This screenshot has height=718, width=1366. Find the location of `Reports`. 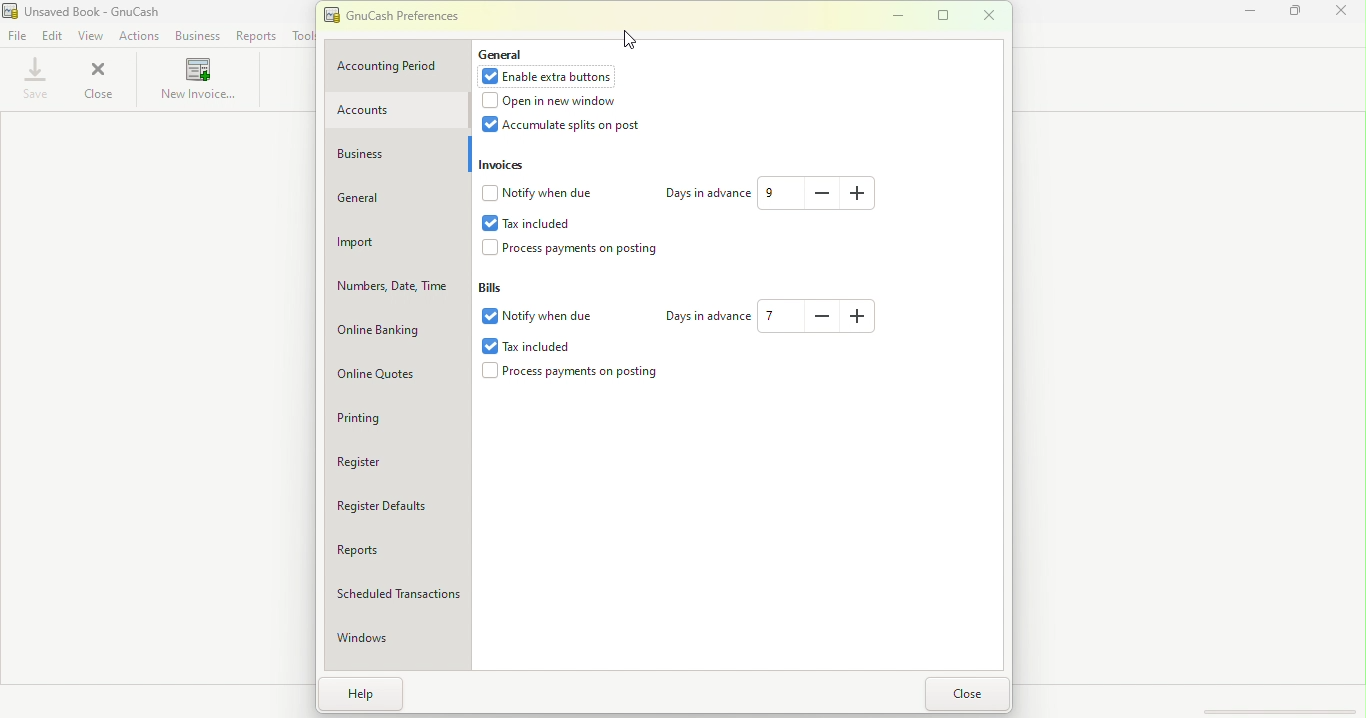

Reports is located at coordinates (255, 34).